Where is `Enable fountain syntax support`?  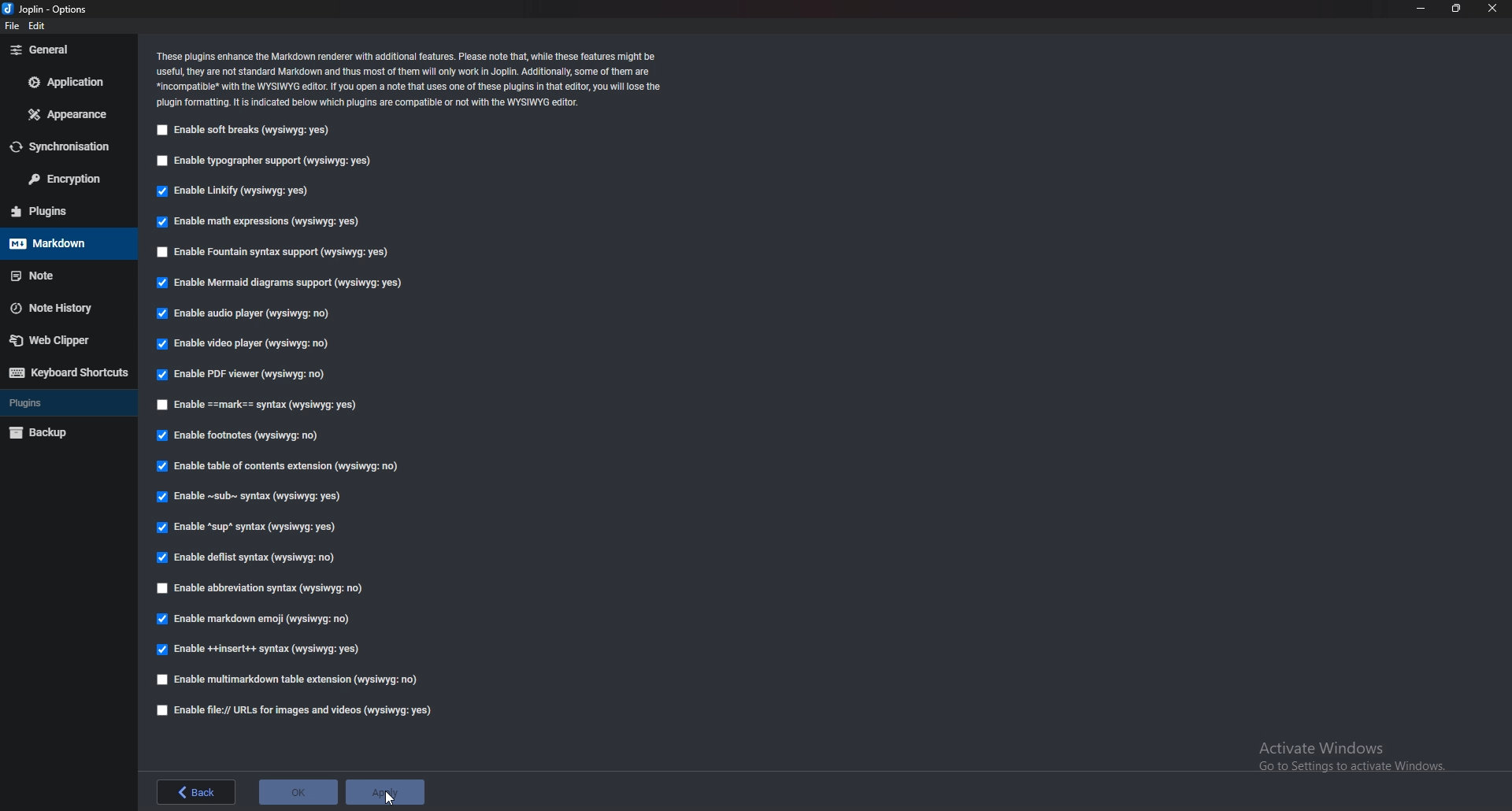 Enable fountain syntax support is located at coordinates (275, 254).